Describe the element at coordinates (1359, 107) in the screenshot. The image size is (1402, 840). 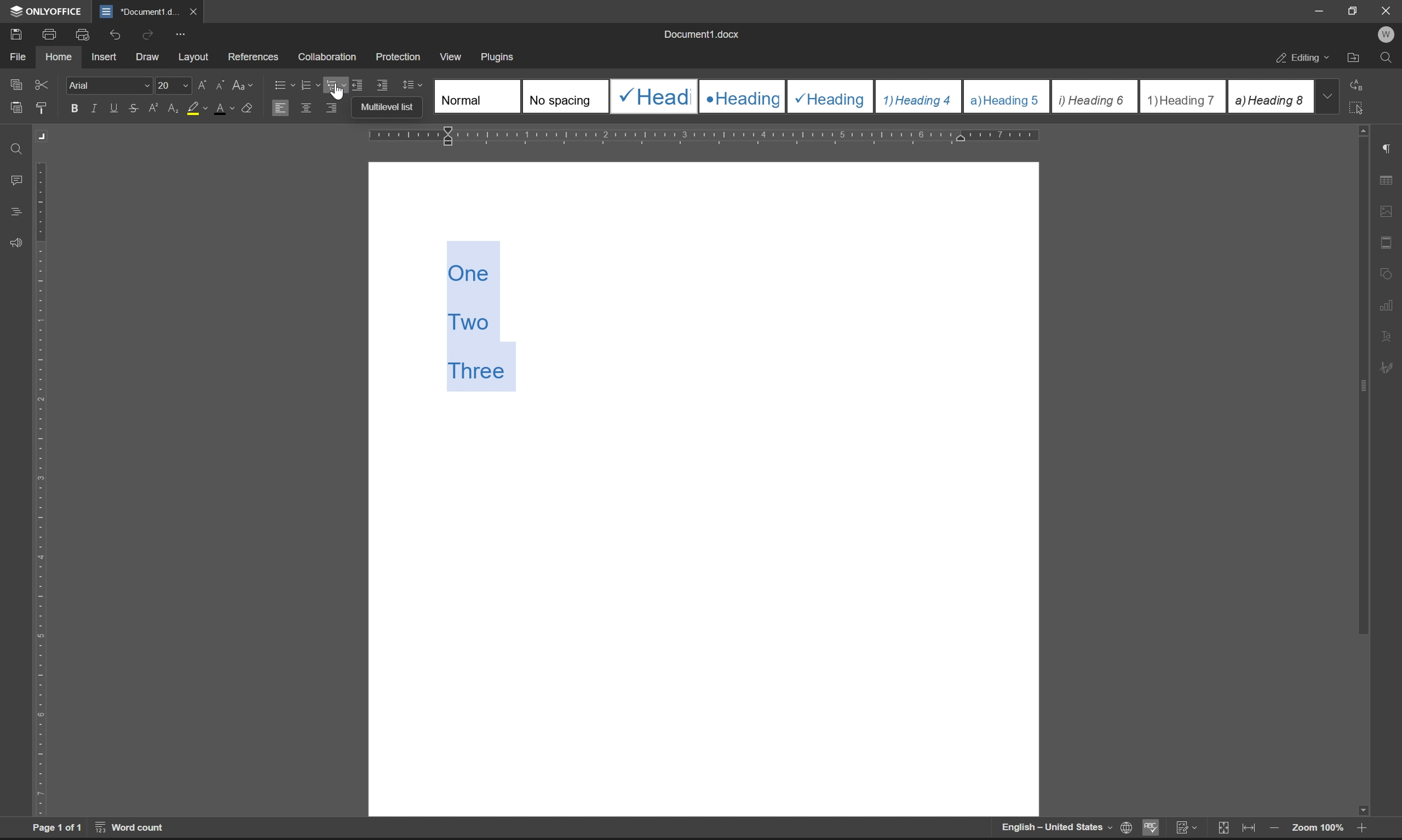
I see `select all` at that location.